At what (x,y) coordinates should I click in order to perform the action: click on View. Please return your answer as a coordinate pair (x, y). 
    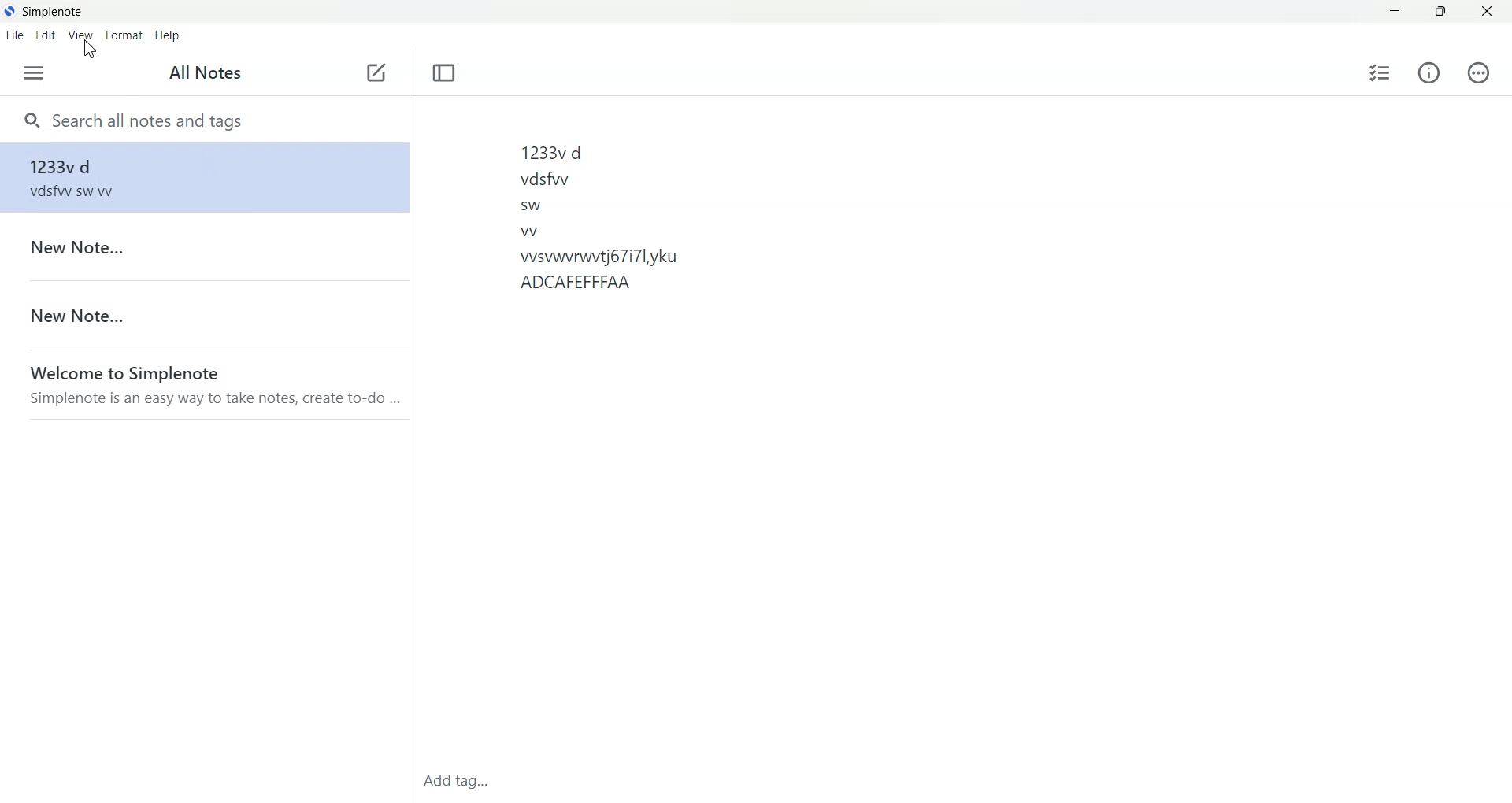
    Looking at the image, I should click on (80, 35).